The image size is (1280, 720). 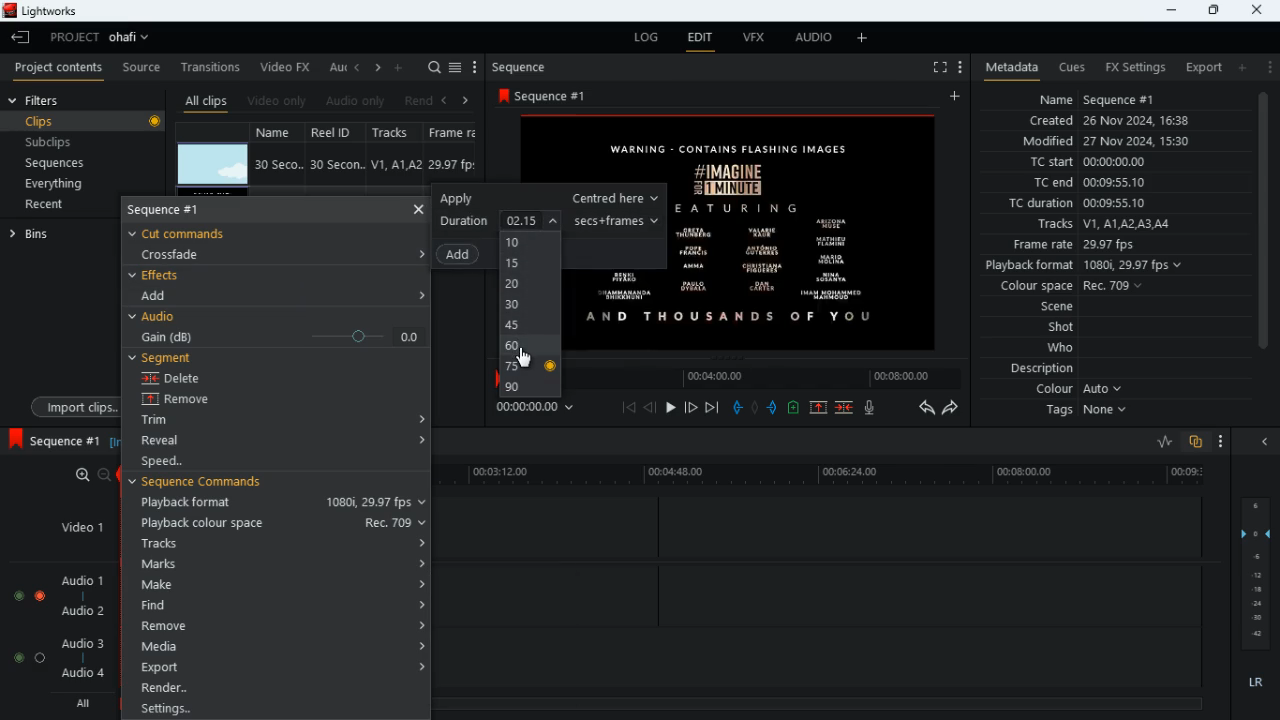 What do you see at coordinates (278, 504) in the screenshot?
I see `playback format` at bounding box center [278, 504].